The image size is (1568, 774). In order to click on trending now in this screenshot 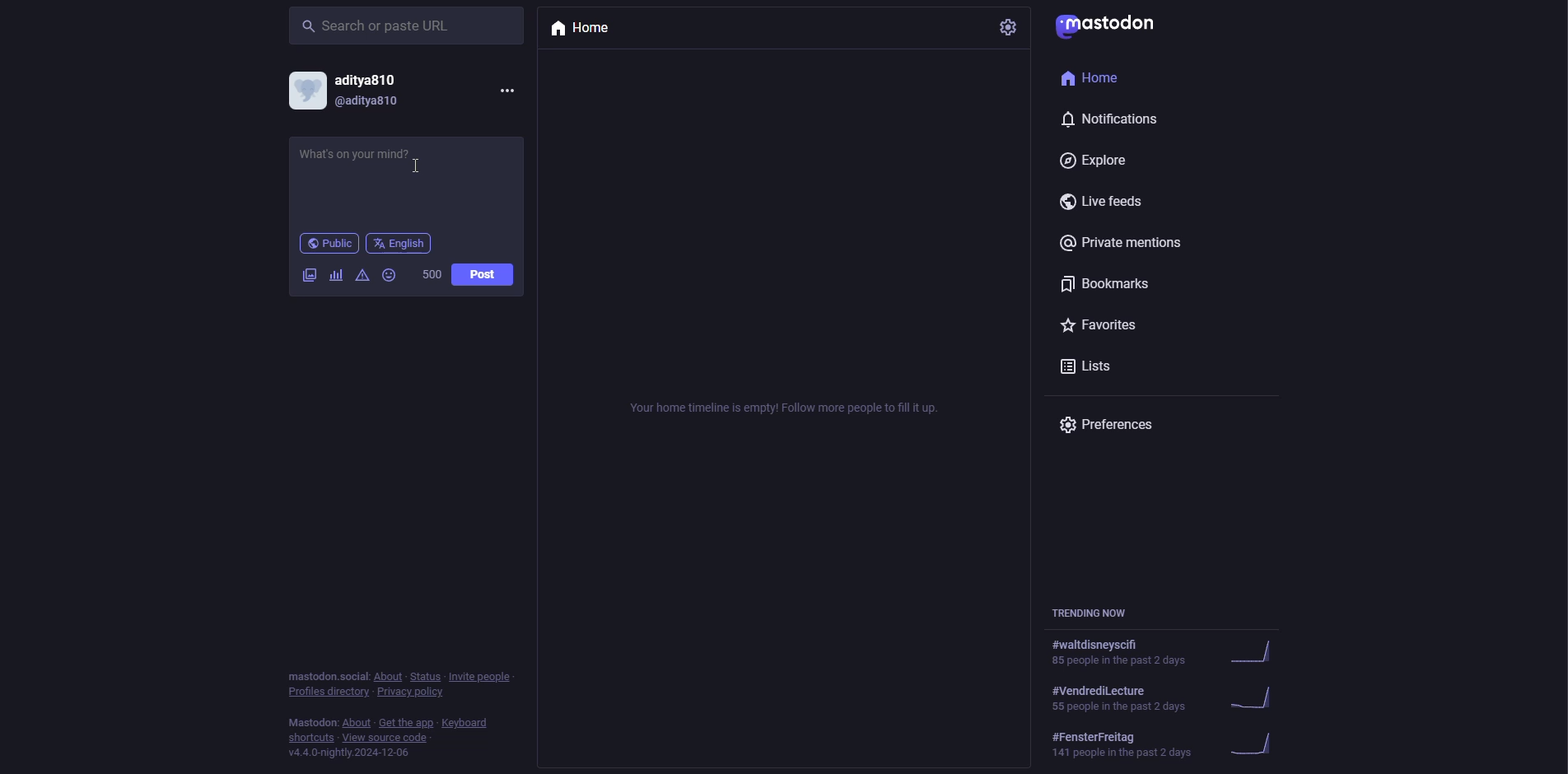, I will do `click(1172, 652)`.